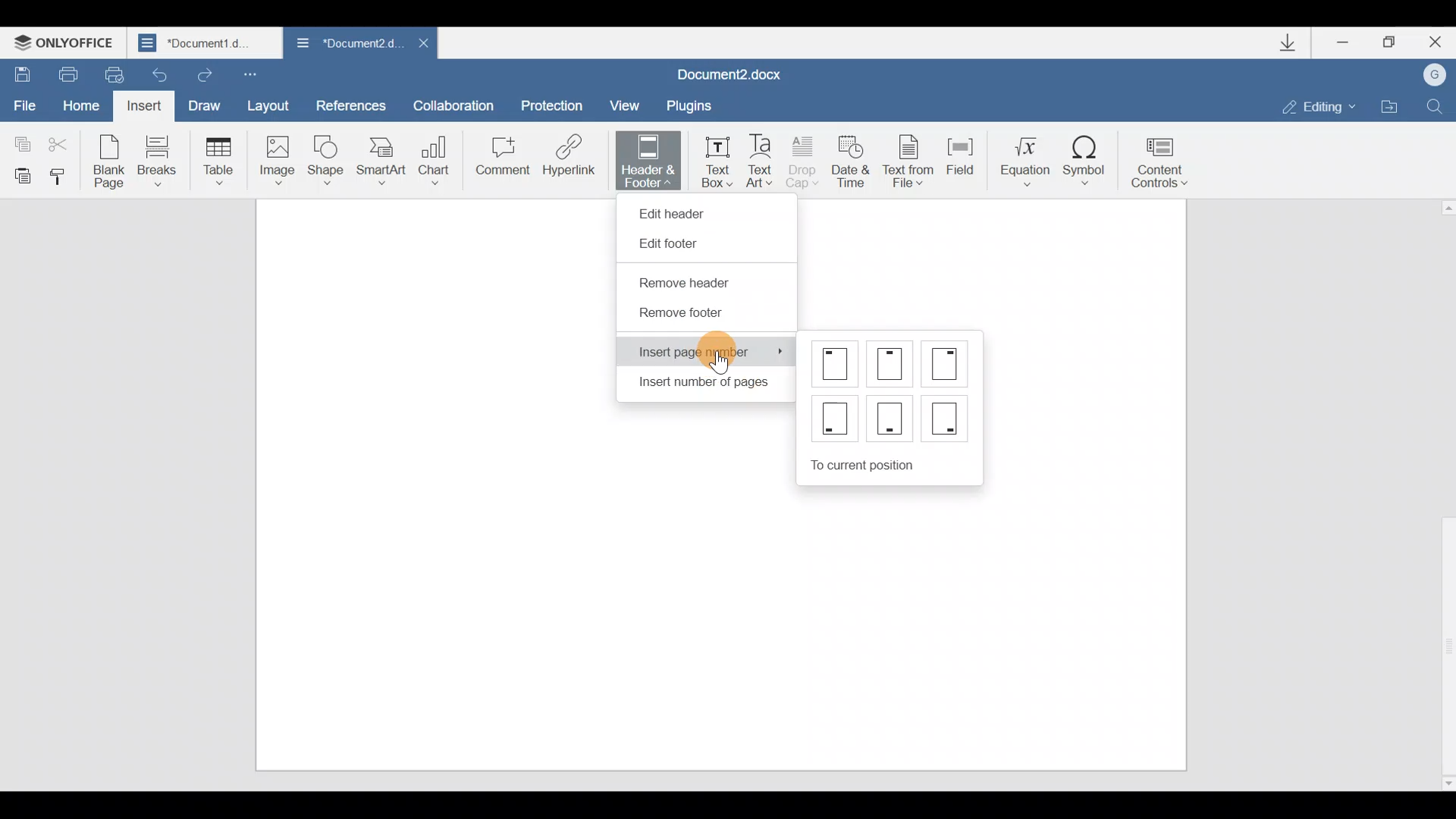 The height and width of the screenshot is (819, 1456). I want to click on Insert number of pages, so click(700, 385).